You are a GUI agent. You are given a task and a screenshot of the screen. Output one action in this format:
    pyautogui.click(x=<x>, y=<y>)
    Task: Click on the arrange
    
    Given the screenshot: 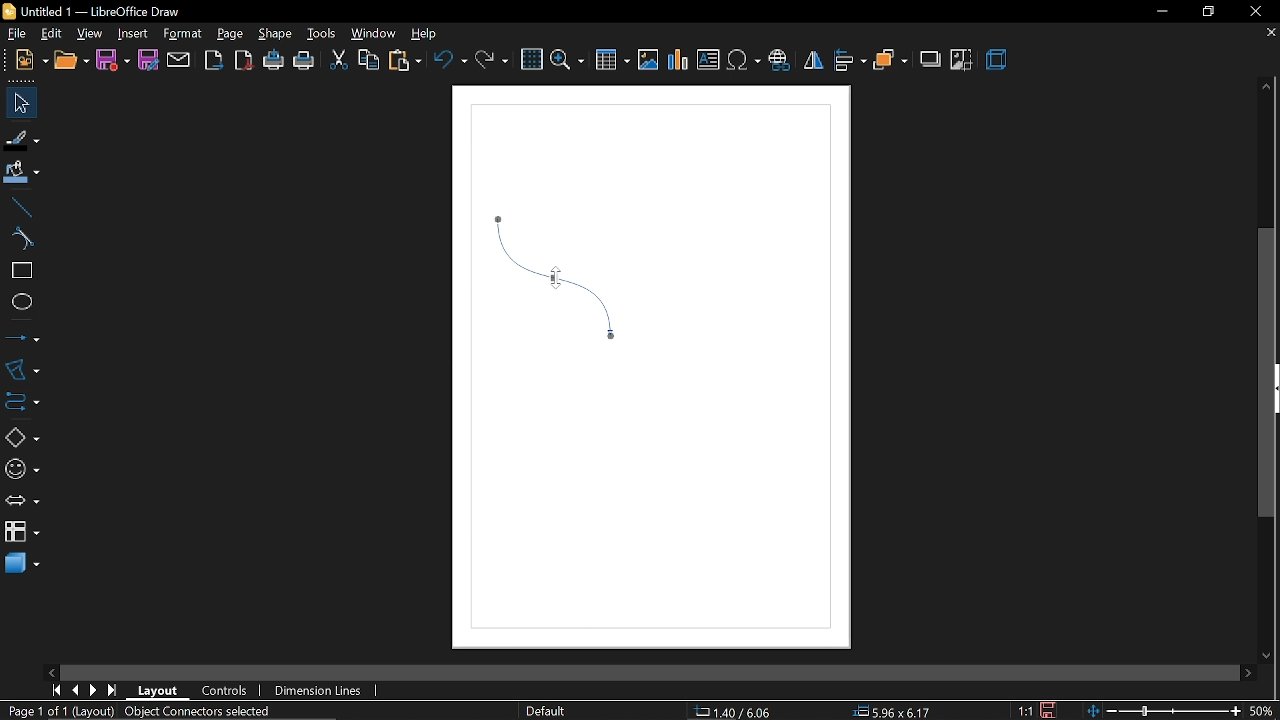 What is the action you would take?
    pyautogui.click(x=890, y=60)
    